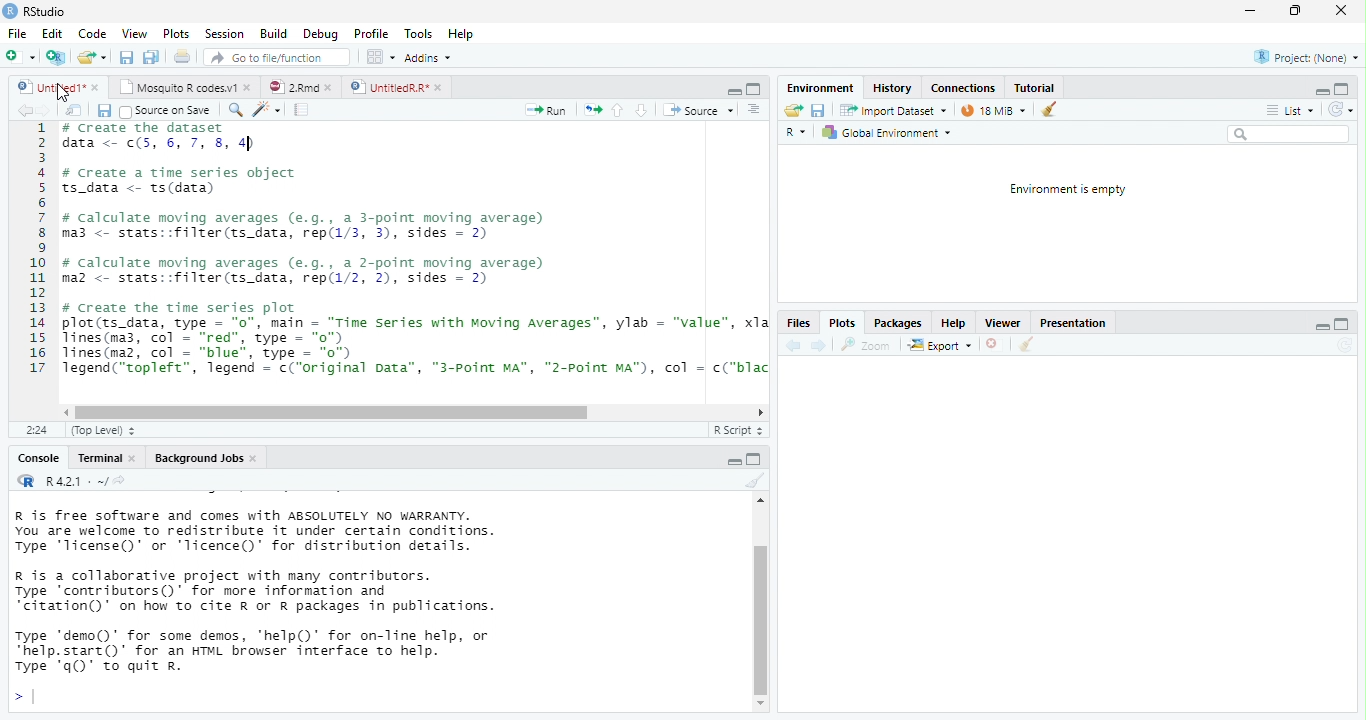 Image resolution: width=1366 pixels, height=720 pixels. I want to click on File, so click(16, 34).